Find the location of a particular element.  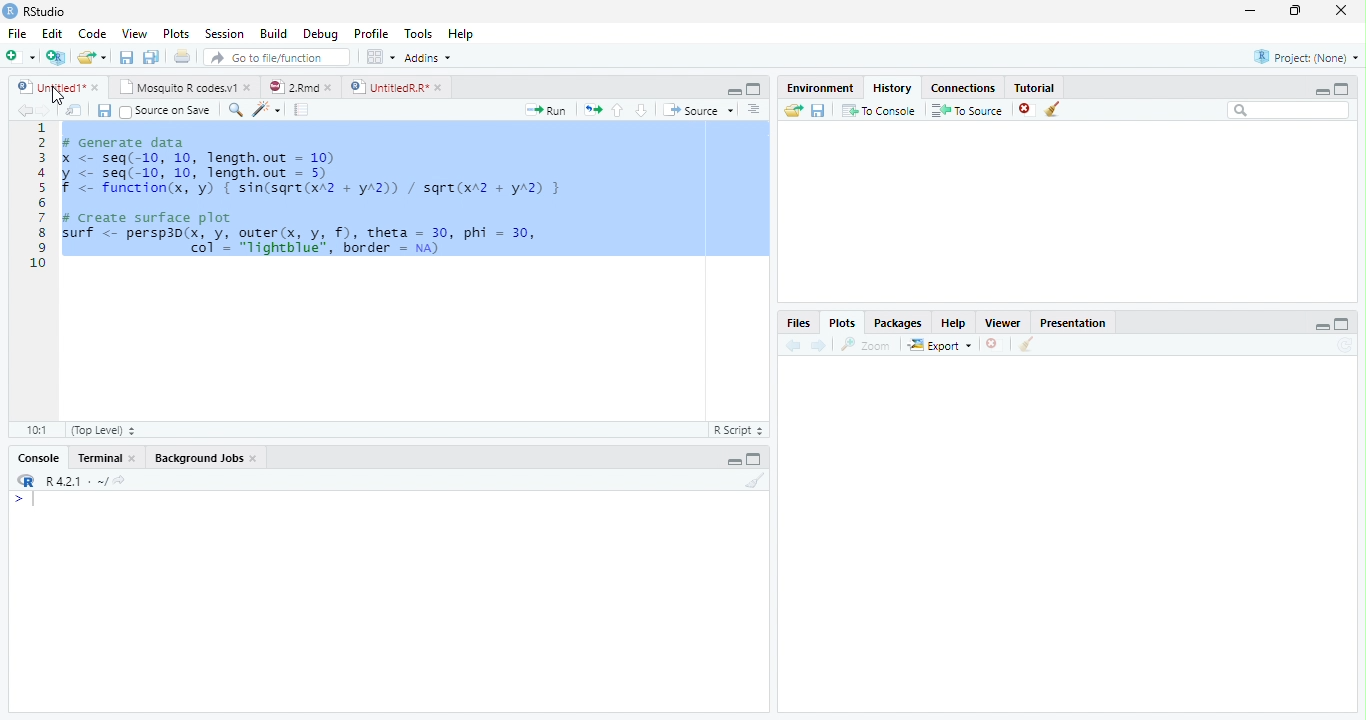

Console is located at coordinates (39, 458).